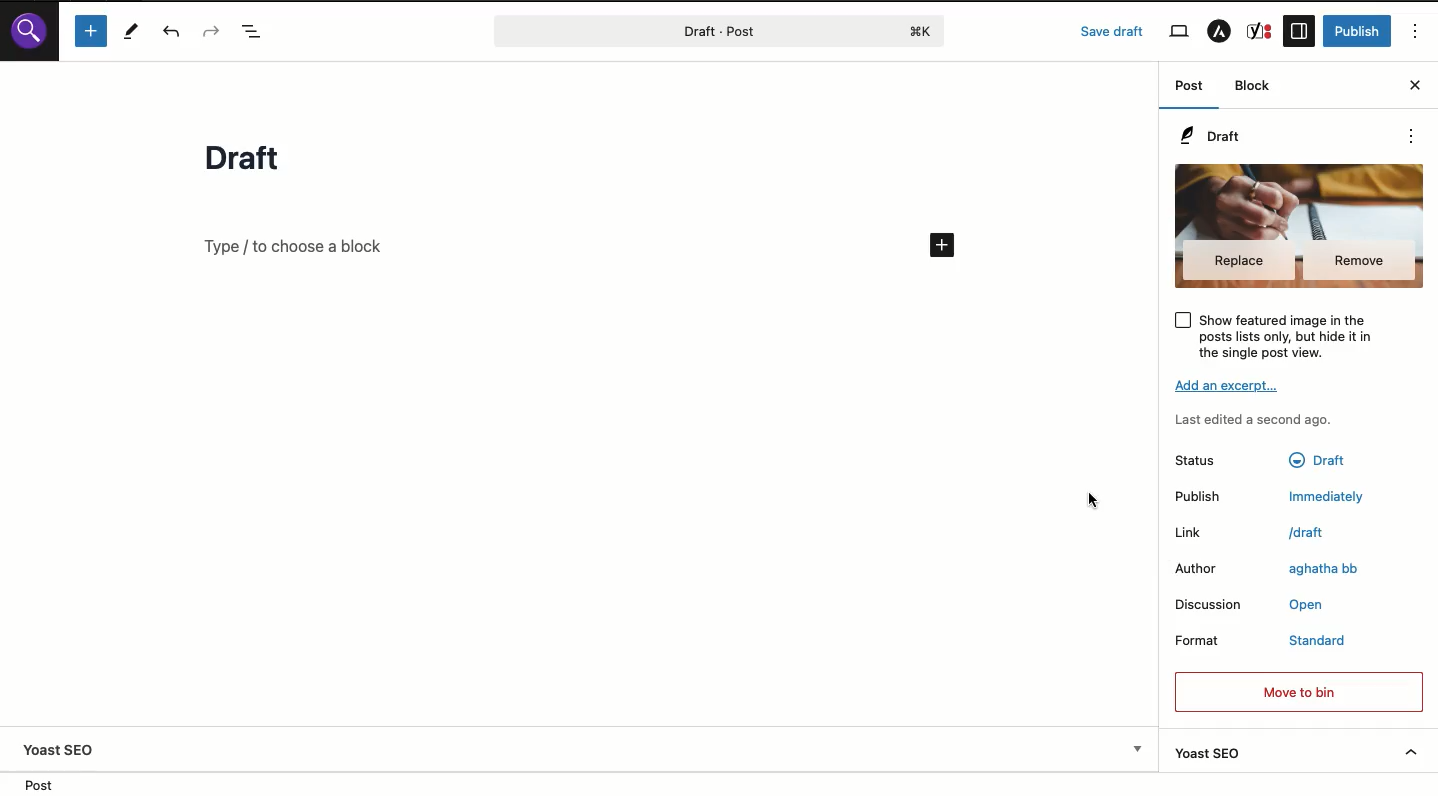 The image size is (1438, 796). What do you see at coordinates (676, 31) in the screenshot?
I see `Post` at bounding box center [676, 31].